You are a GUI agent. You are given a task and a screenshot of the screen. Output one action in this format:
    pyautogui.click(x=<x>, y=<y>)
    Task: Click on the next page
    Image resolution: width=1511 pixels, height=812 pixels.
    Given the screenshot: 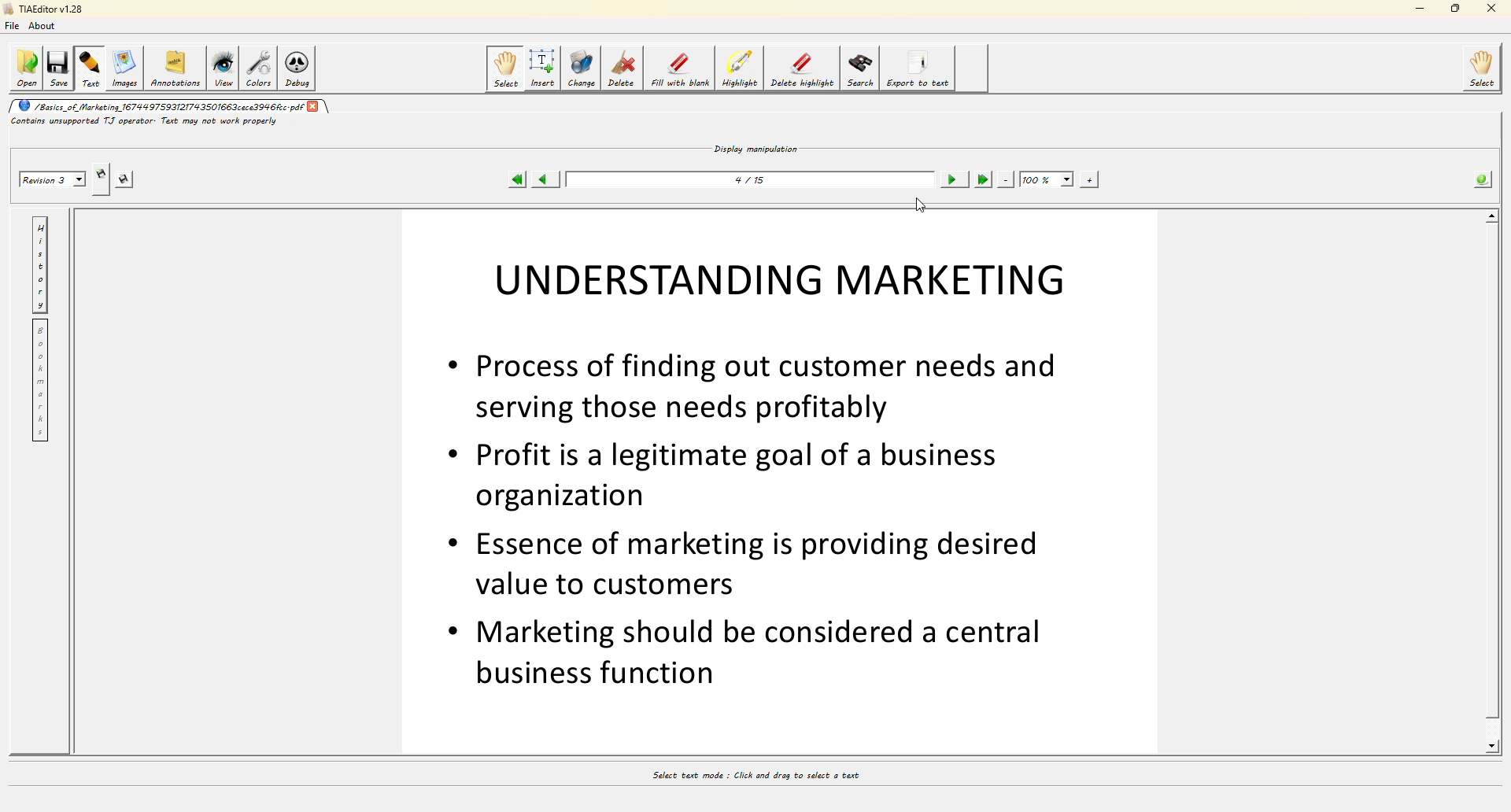 What is the action you would take?
    pyautogui.click(x=954, y=179)
    